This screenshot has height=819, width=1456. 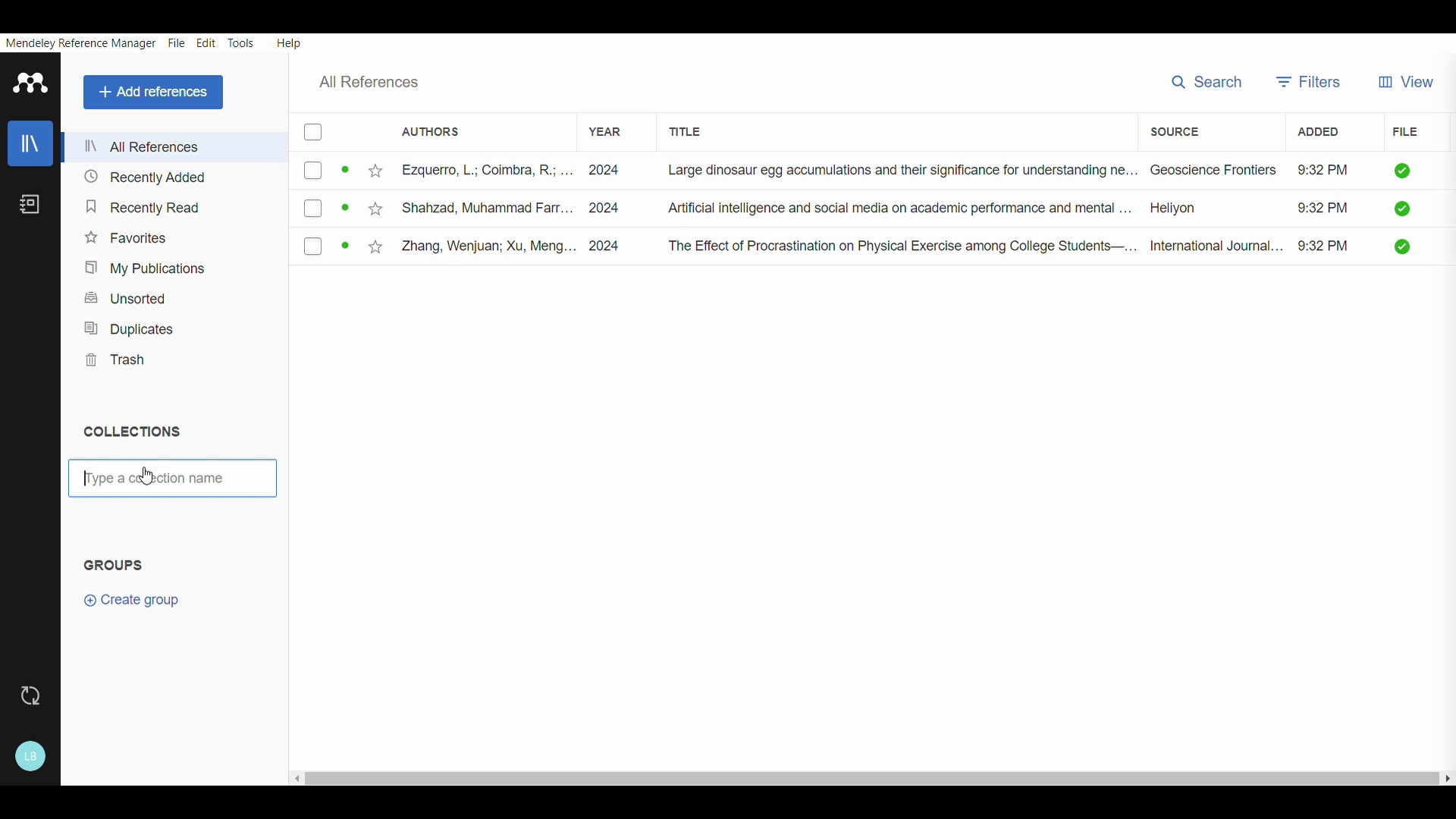 I want to click on File, so click(x=176, y=42).